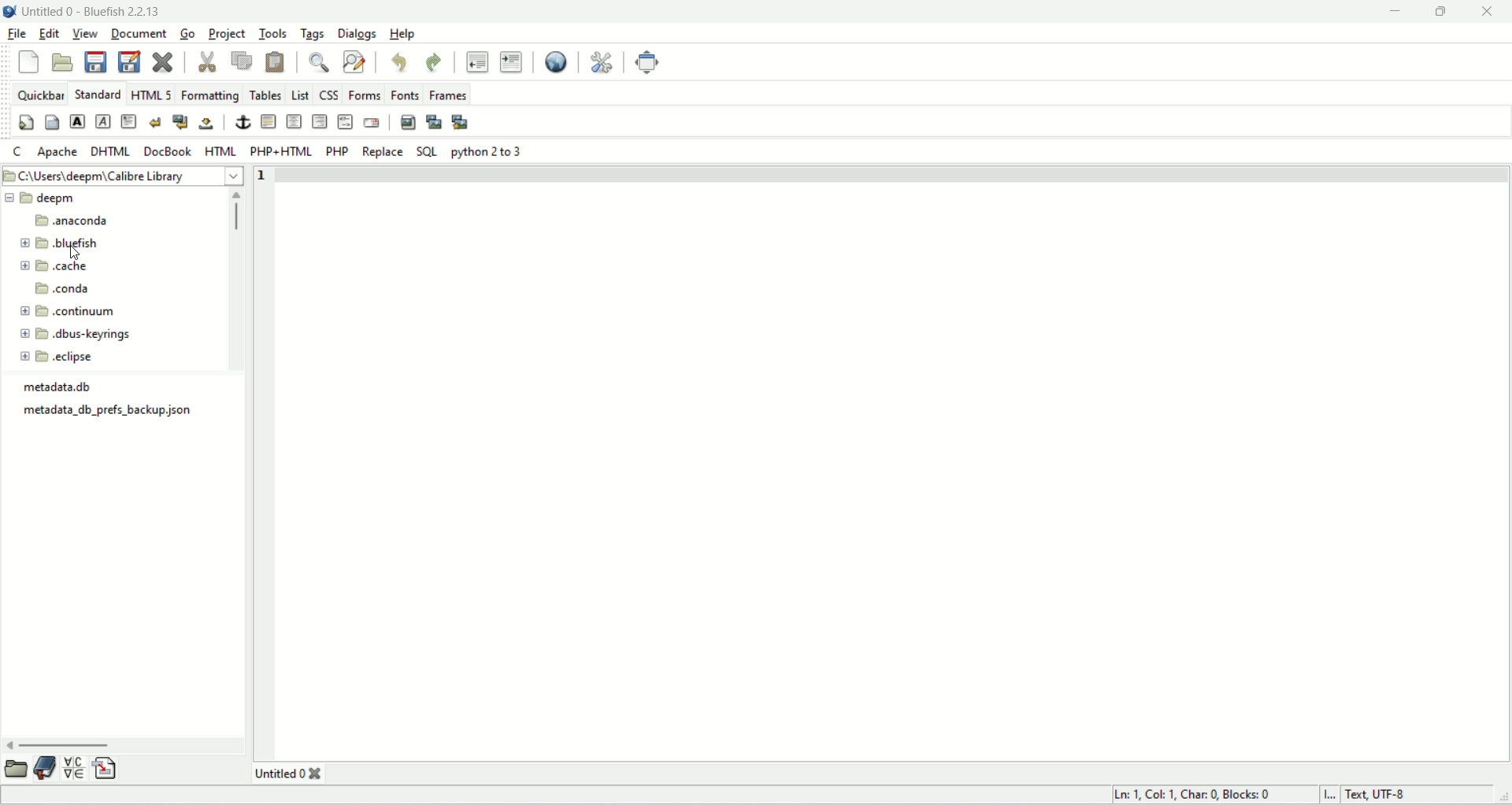  What do you see at coordinates (407, 122) in the screenshot?
I see `insert image` at bounding box center [407, 122].